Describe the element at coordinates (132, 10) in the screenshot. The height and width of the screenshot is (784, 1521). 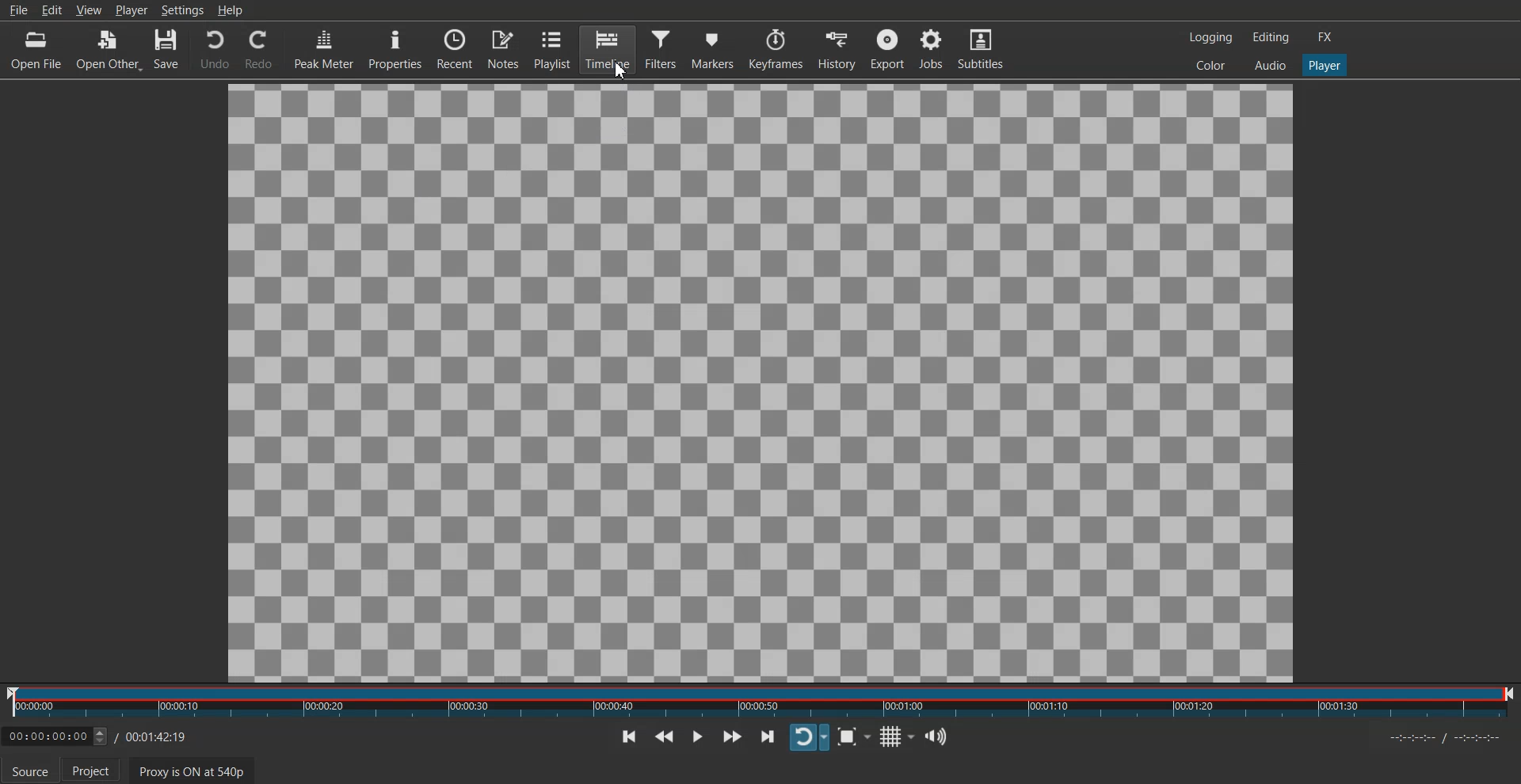
I see `Player` at that location.